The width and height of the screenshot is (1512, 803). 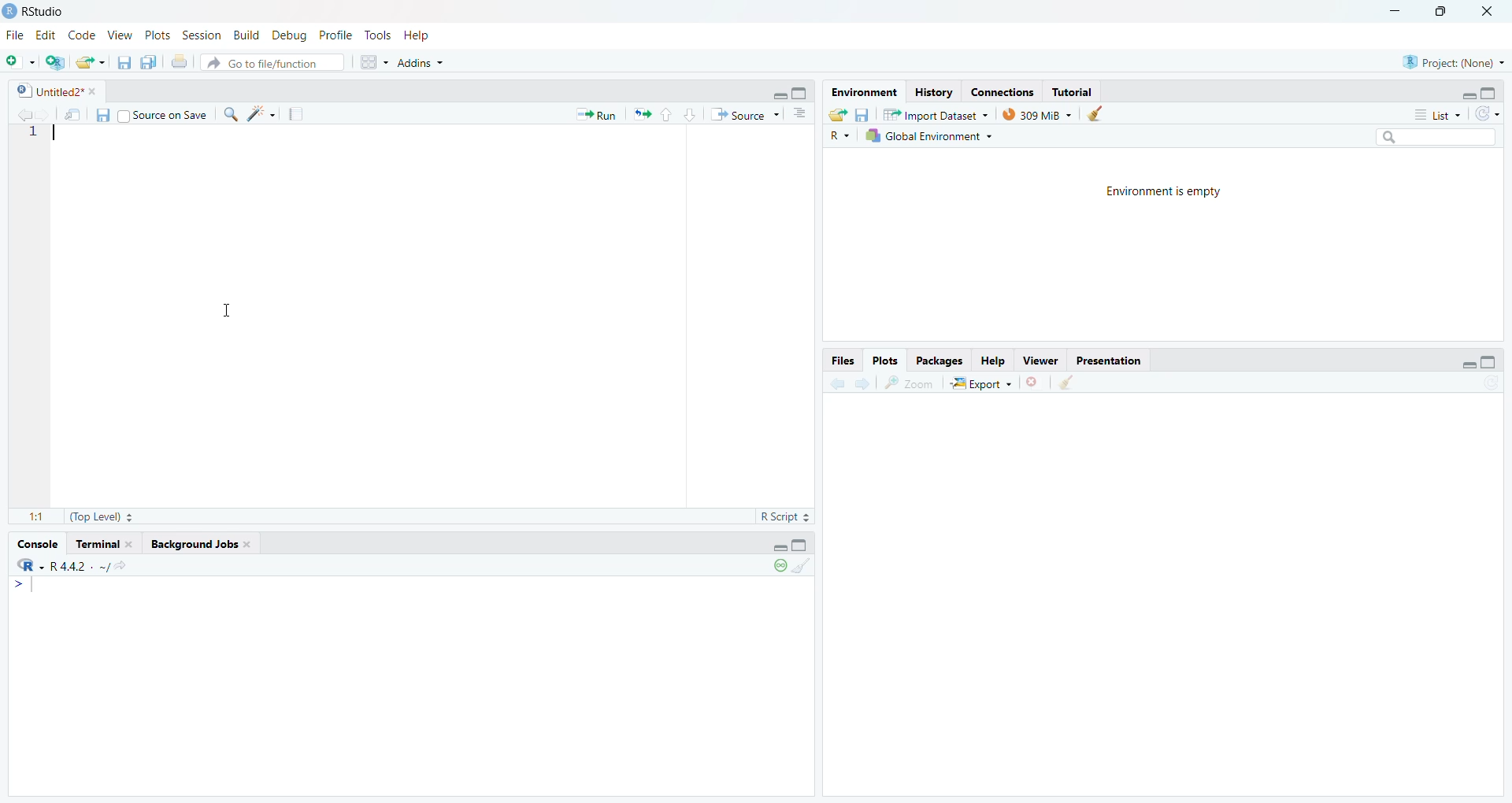 What do you see at coordinates (335, 35) in the screenshot?
I see `Profile` at bounding box center [335, 35].